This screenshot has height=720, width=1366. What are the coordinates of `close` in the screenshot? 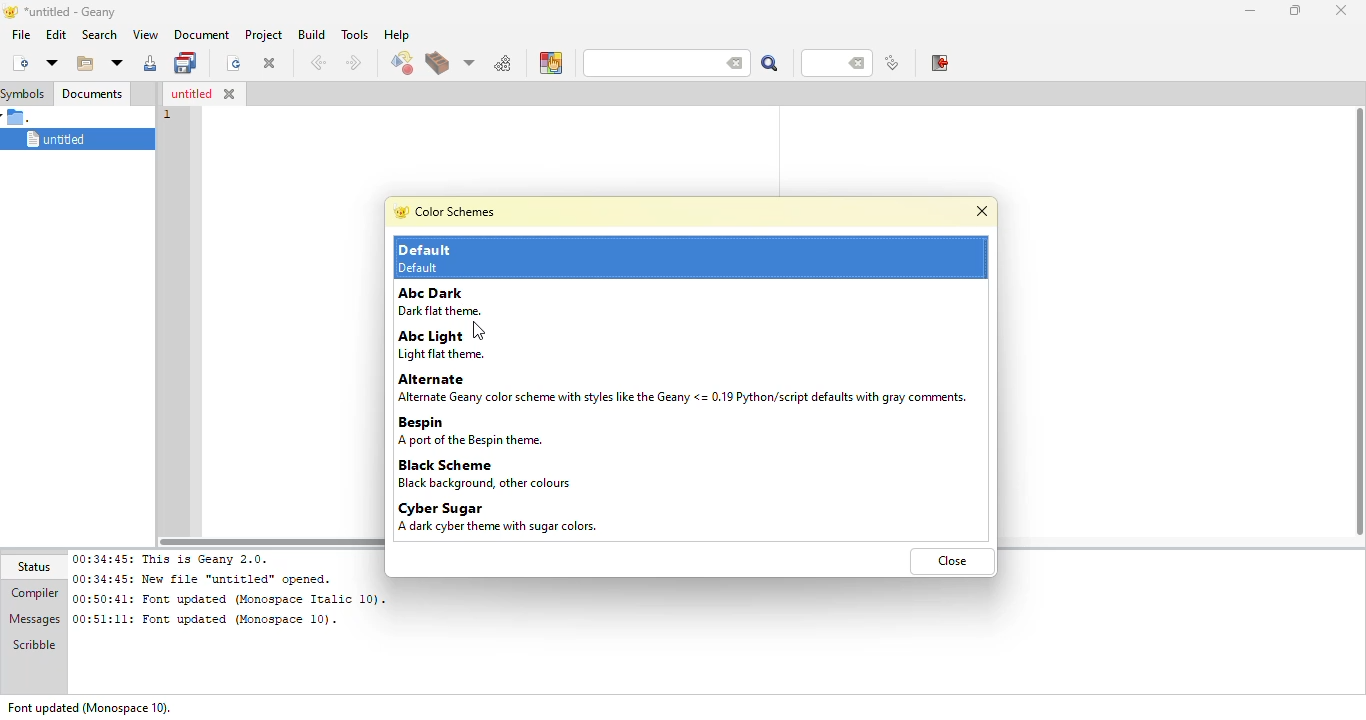 It's located at (269, 64).